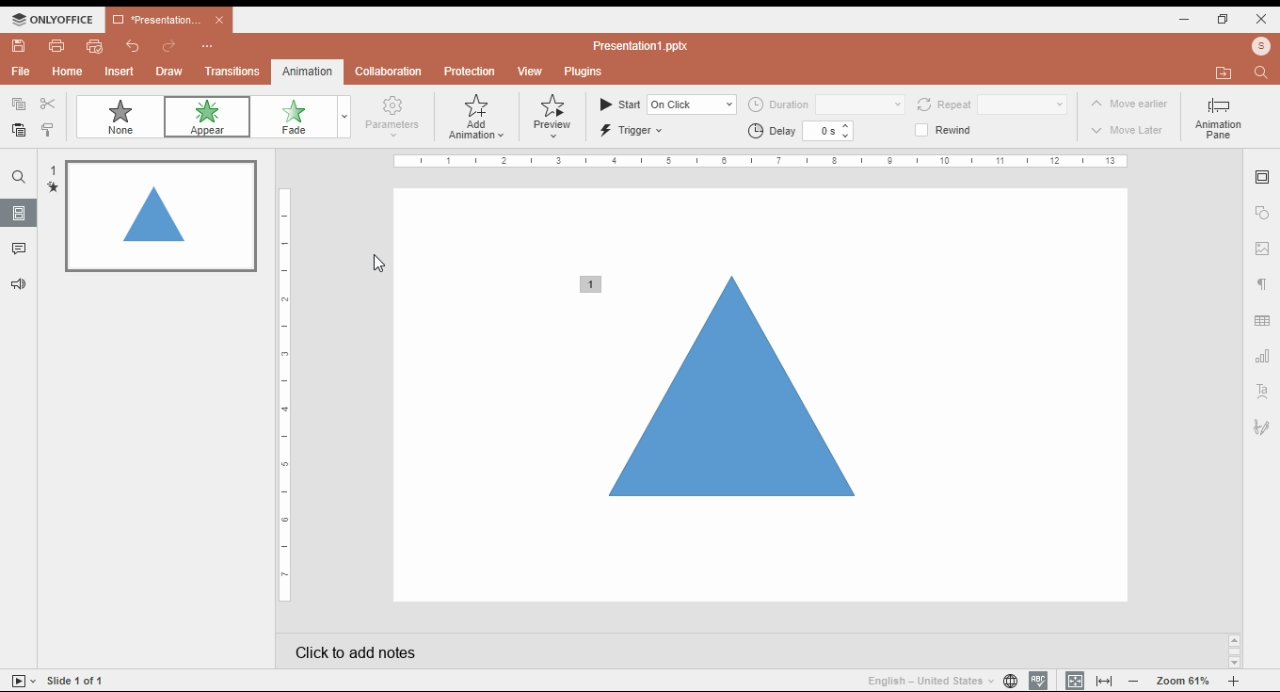 Image resolution: width=1280 pixels, height=692 pixels. What do you see at coordinates (307, 72) in the screenshot?
I see `animations` at bounding box center [307, 72].